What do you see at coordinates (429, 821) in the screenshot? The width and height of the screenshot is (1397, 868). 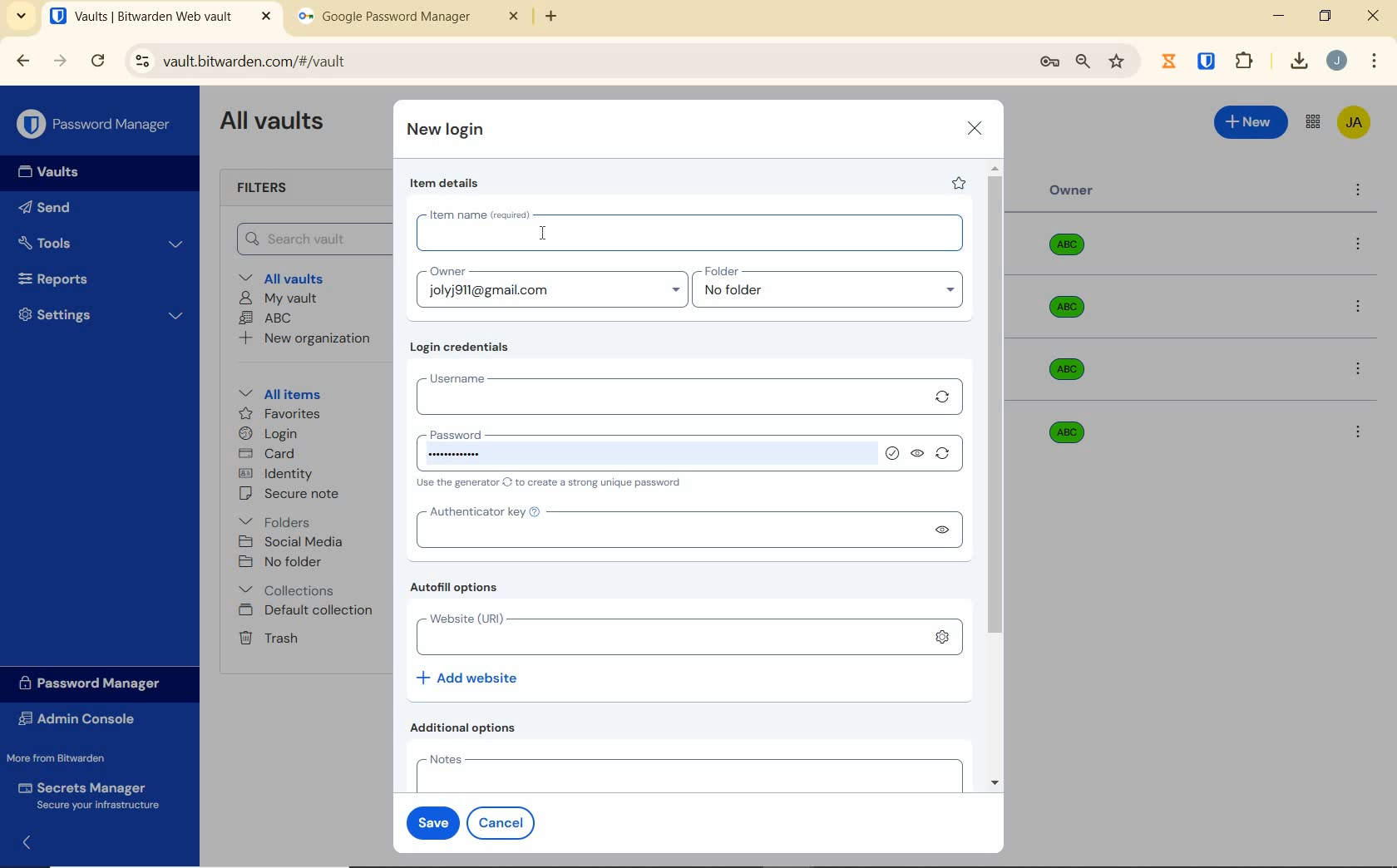 I see `save` at bounding box center [429, 821].